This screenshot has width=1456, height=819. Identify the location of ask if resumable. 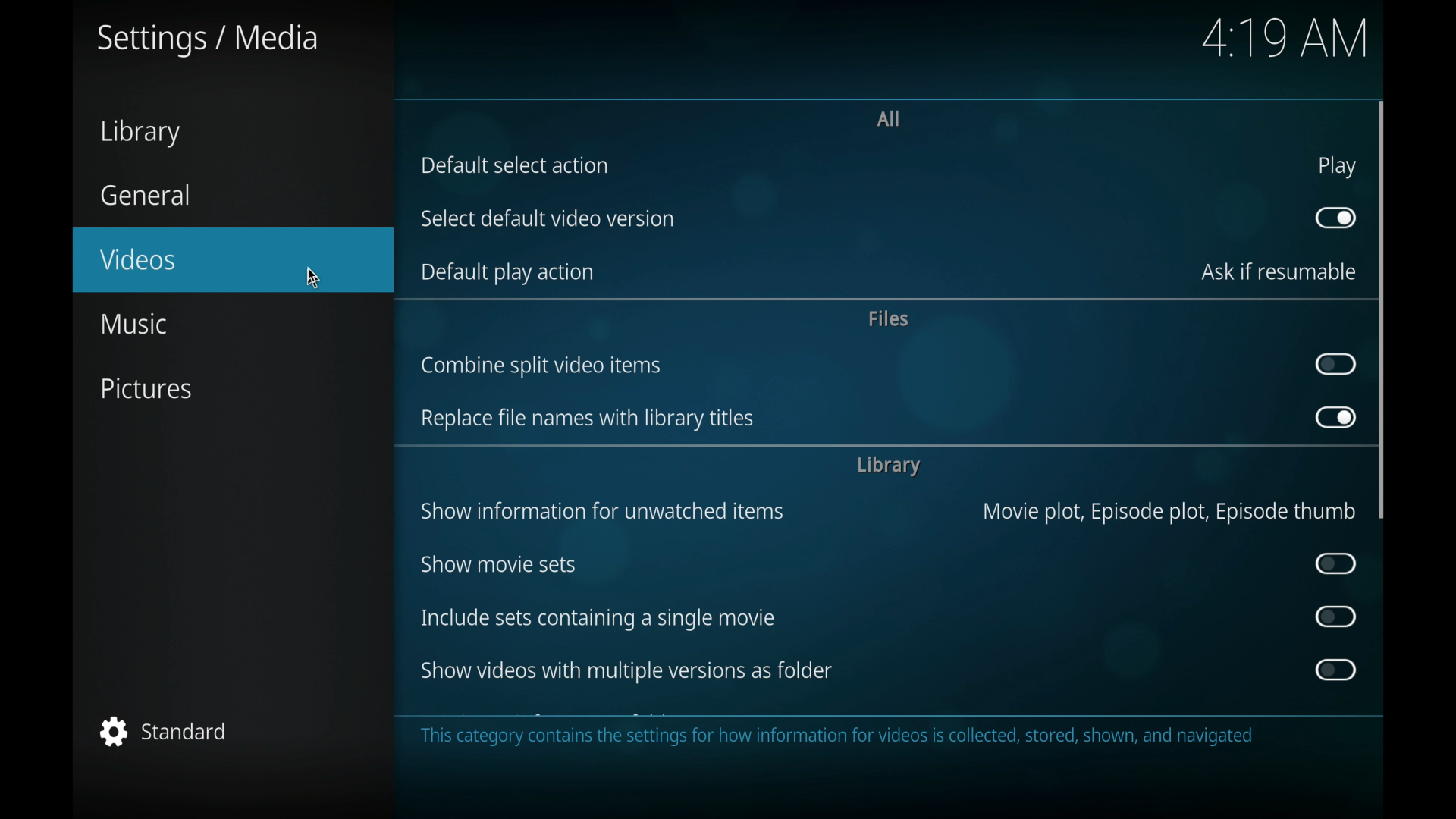
(1280, 271).